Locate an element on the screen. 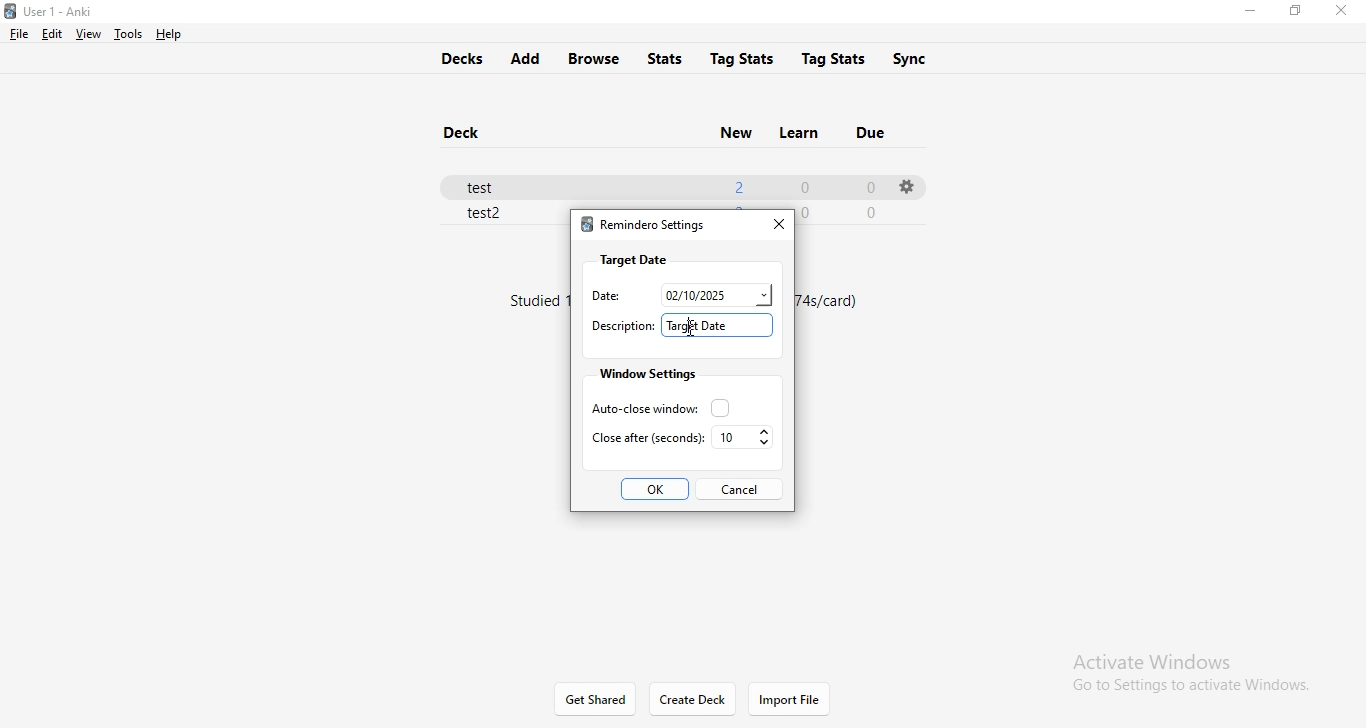  text is located at coordinates (829, 298).